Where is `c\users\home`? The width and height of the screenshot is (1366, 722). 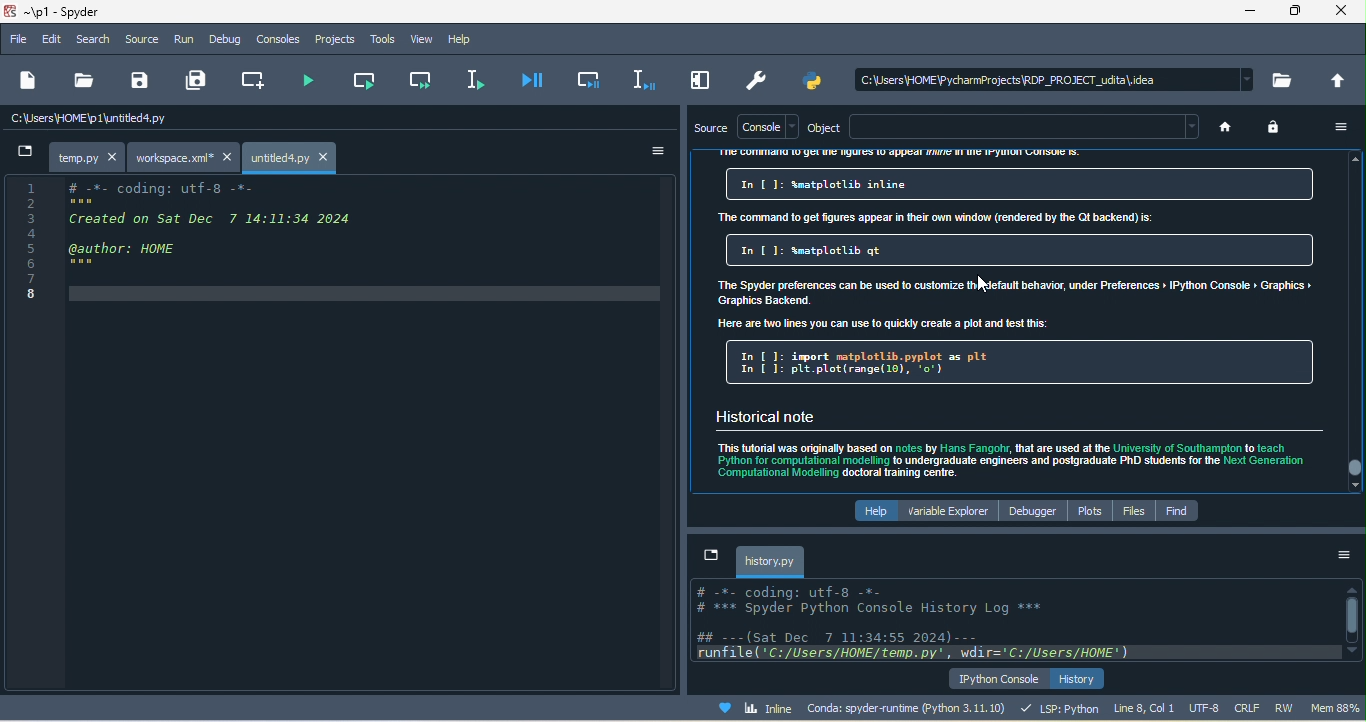
c\users\home is located at coordinates (1055, 76).